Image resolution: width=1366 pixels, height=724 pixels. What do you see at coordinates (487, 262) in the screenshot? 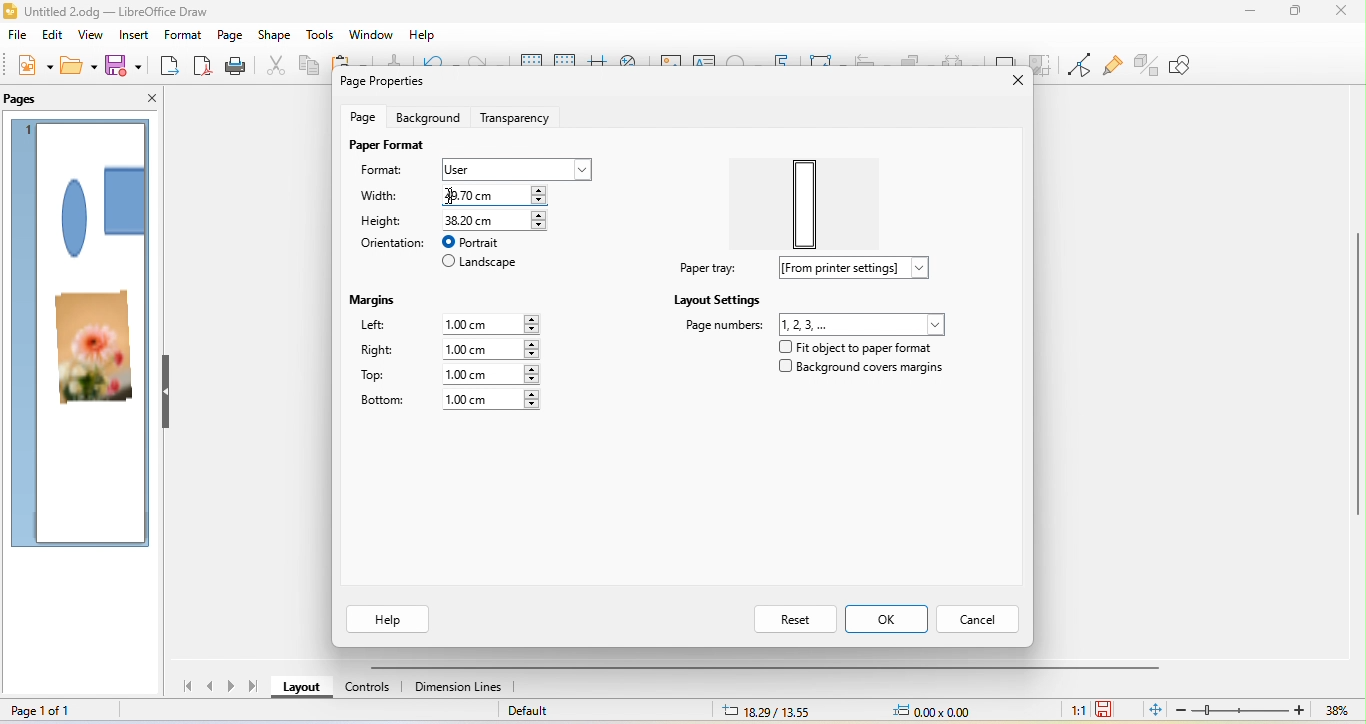
I see `landscape` at bounding box center [487, 262].